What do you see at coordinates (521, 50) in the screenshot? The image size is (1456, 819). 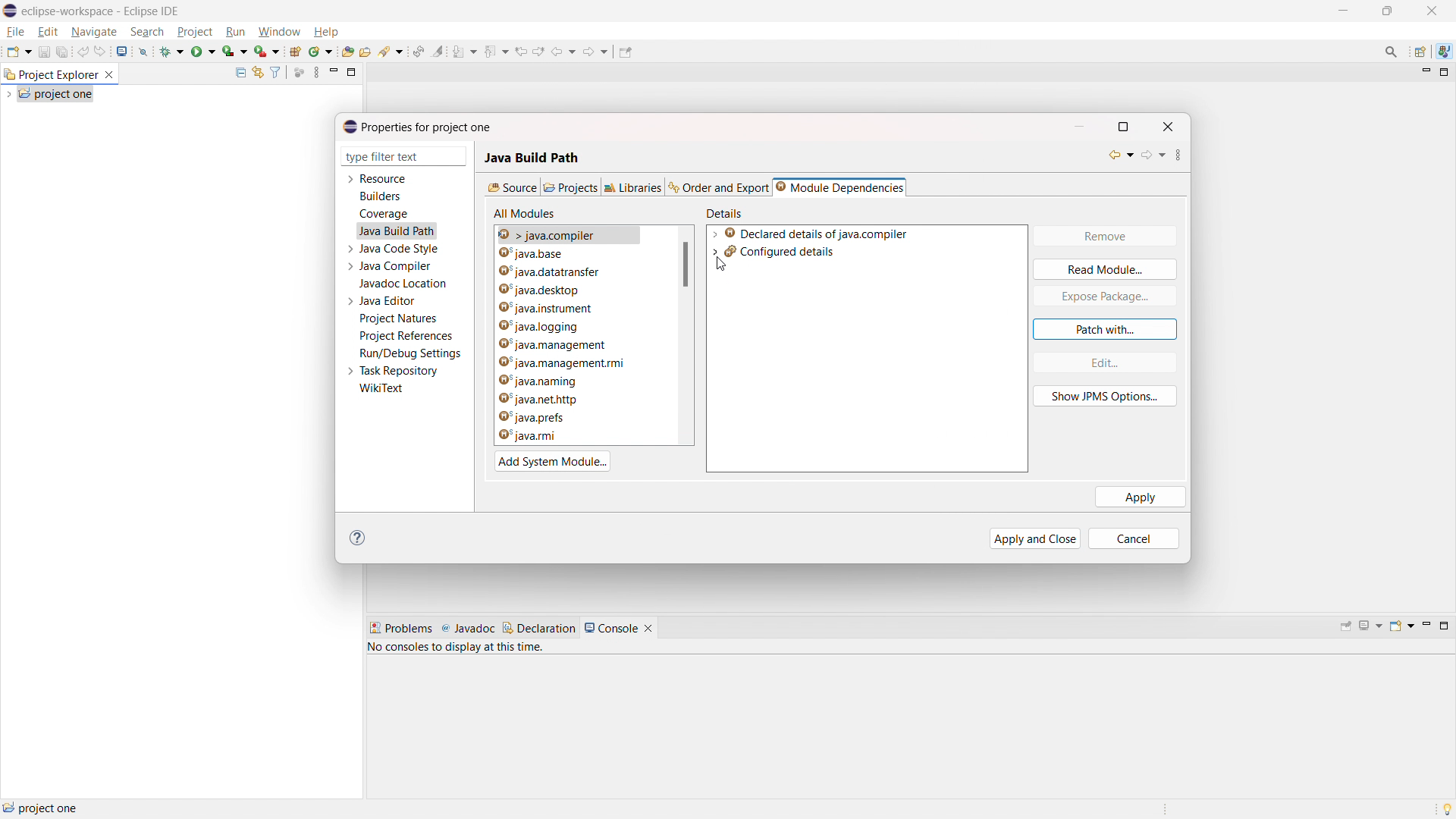 I see `view previous location` at bounding box center [521, 50].